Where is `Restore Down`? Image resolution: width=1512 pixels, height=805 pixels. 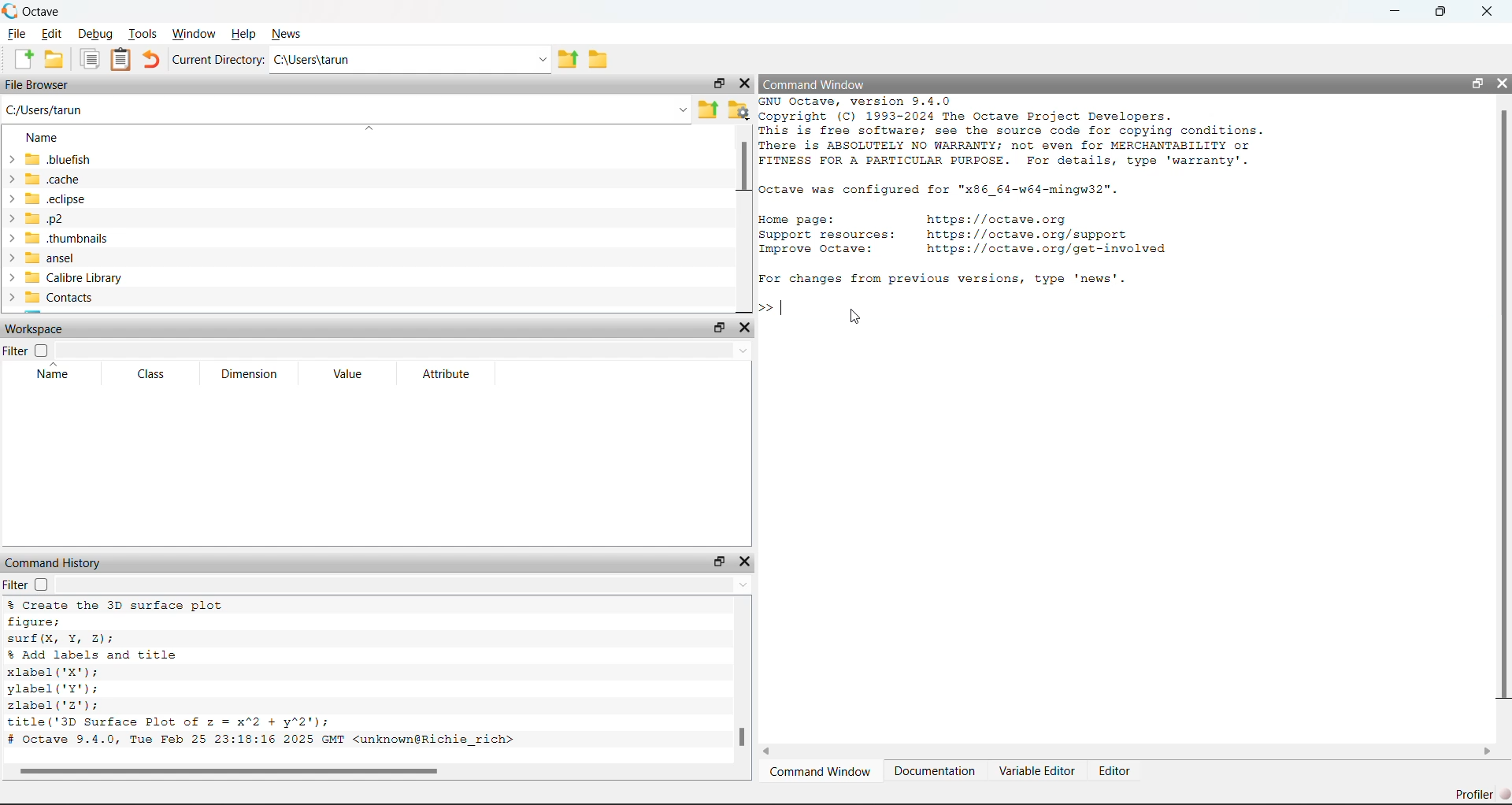 Restore Down is located at coordinates (719, 325).